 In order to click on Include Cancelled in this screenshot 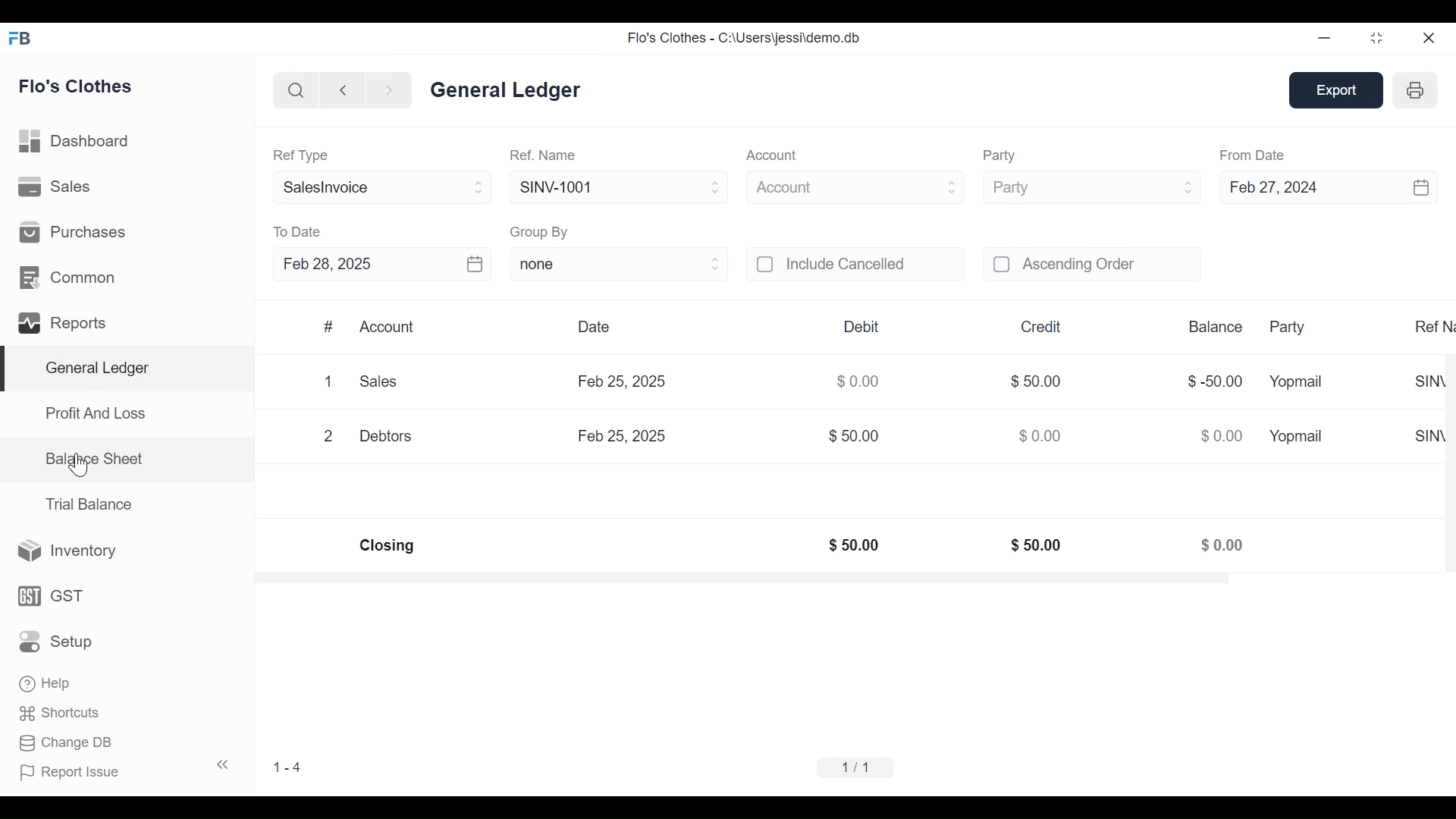, I will do `click(874, 265)`.